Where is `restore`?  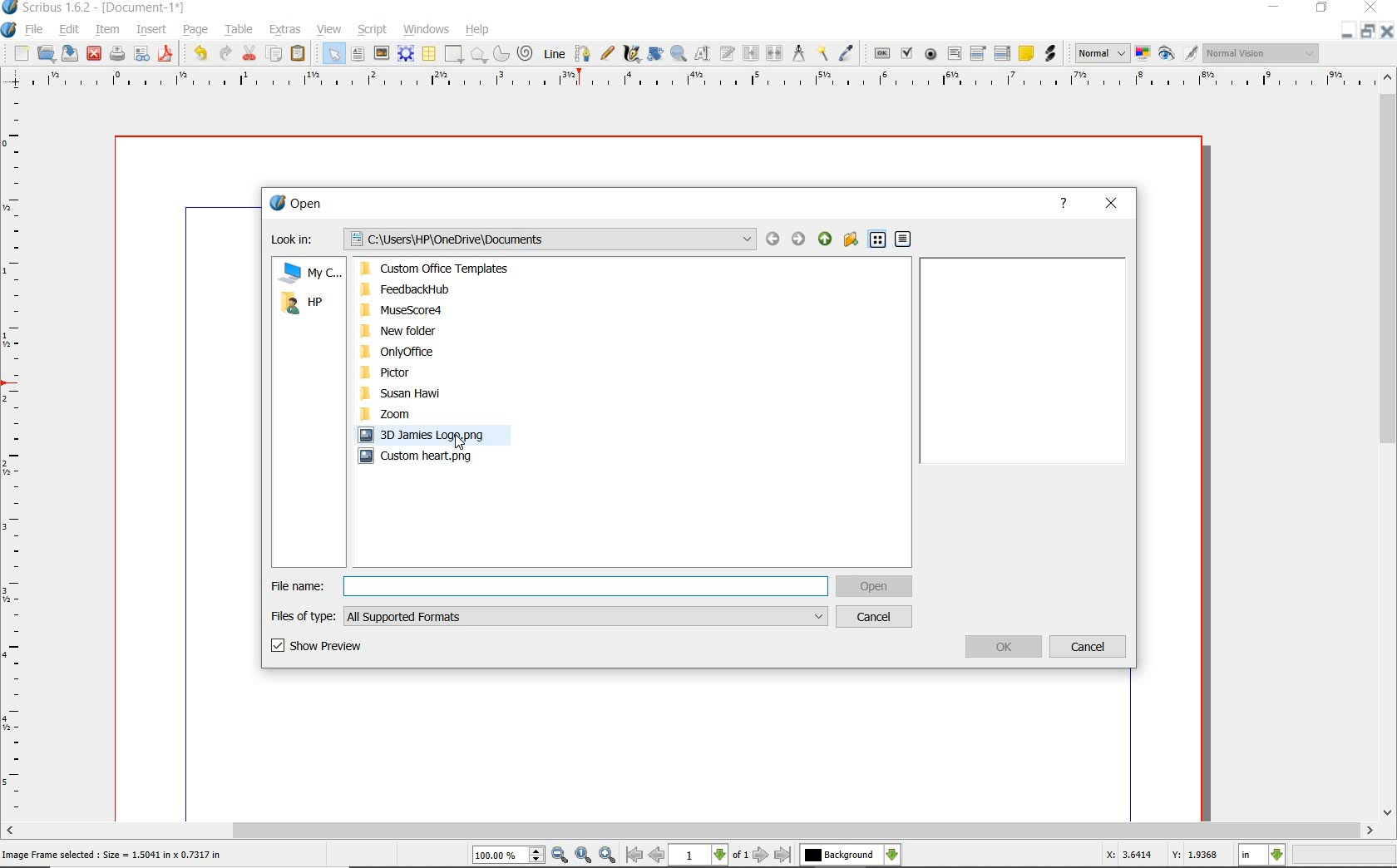 restore is located at coordinates (1366, 32).